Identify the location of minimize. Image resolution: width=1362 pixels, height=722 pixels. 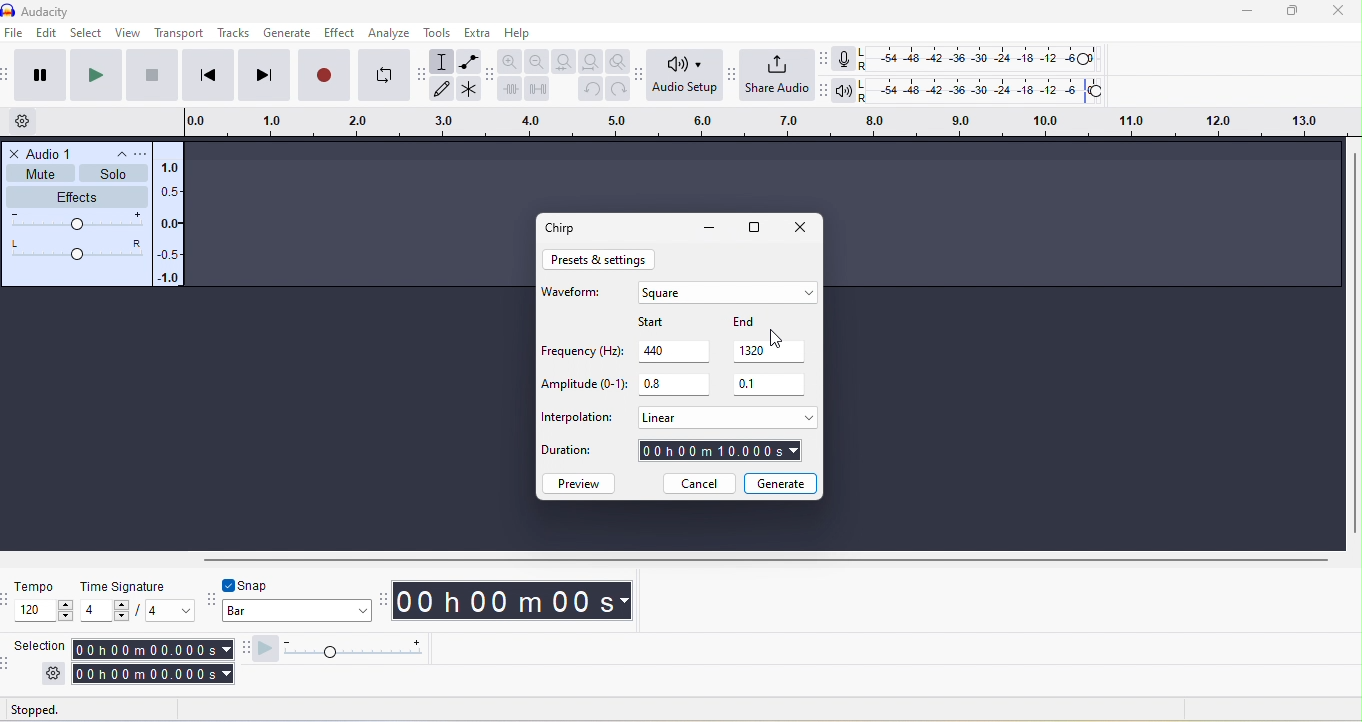
(709, 229).